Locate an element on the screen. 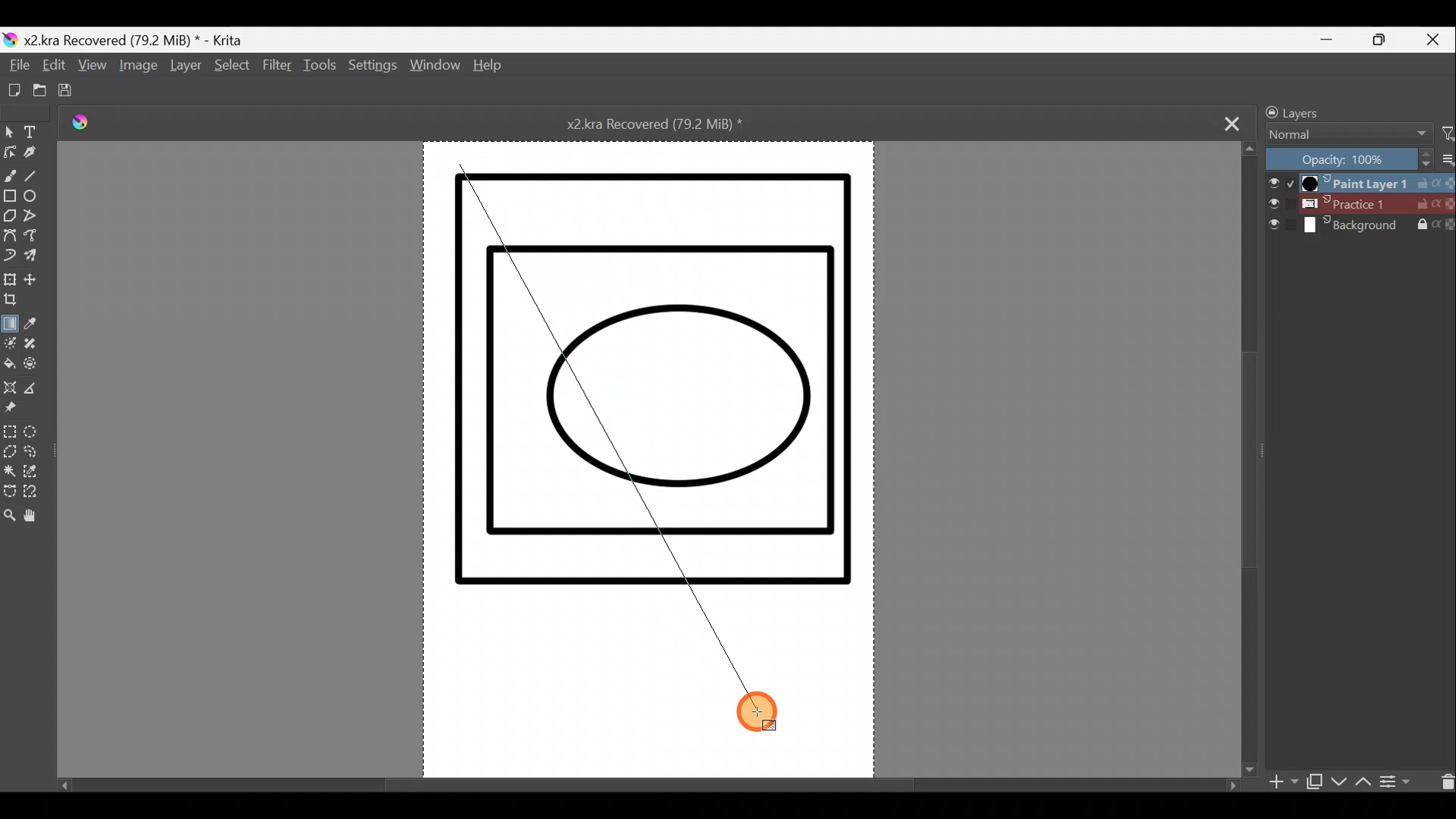  Duplicate layer/mask is located at coordinates (1314, 785).